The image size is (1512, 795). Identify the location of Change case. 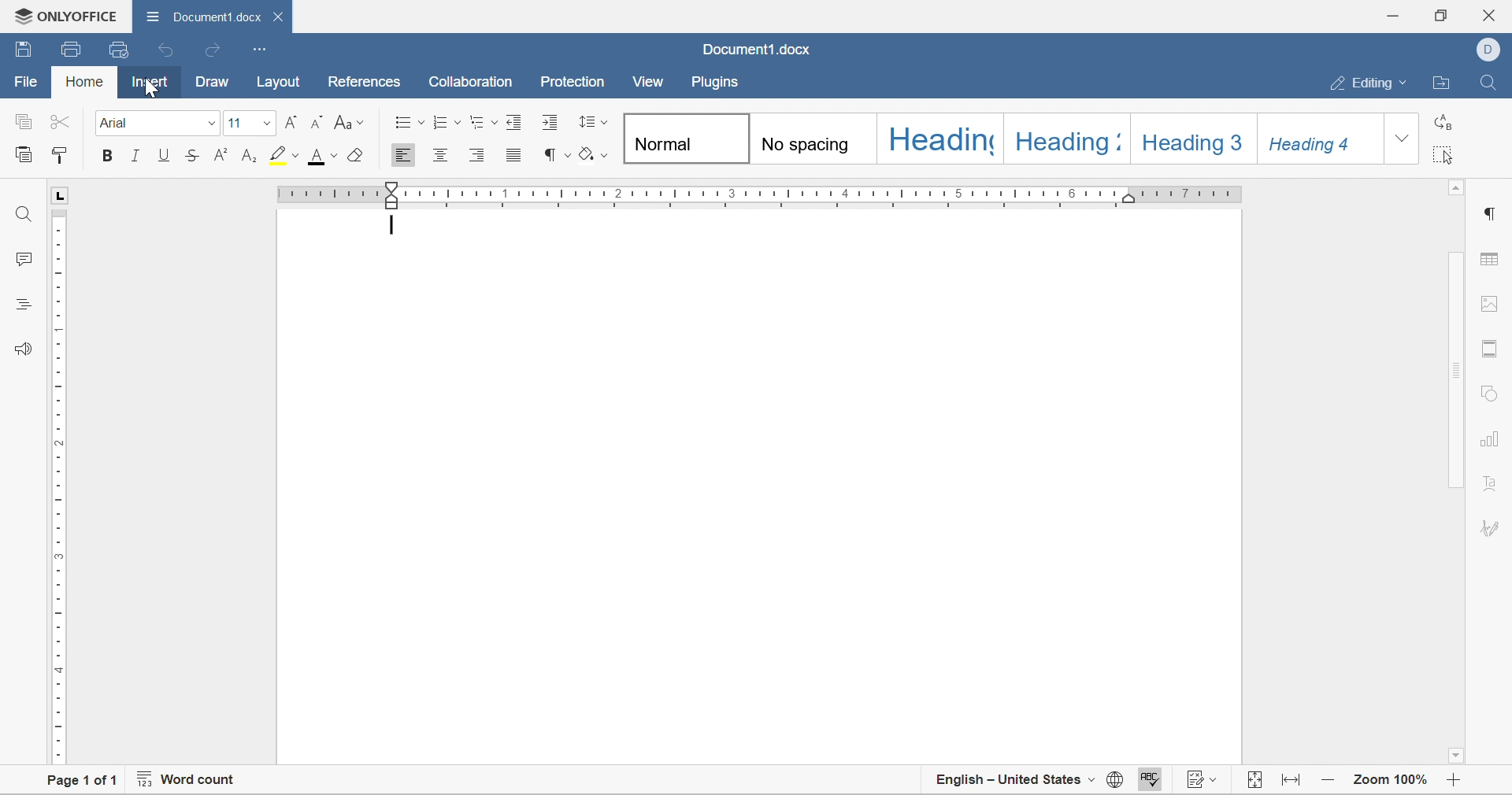
(353, 122).